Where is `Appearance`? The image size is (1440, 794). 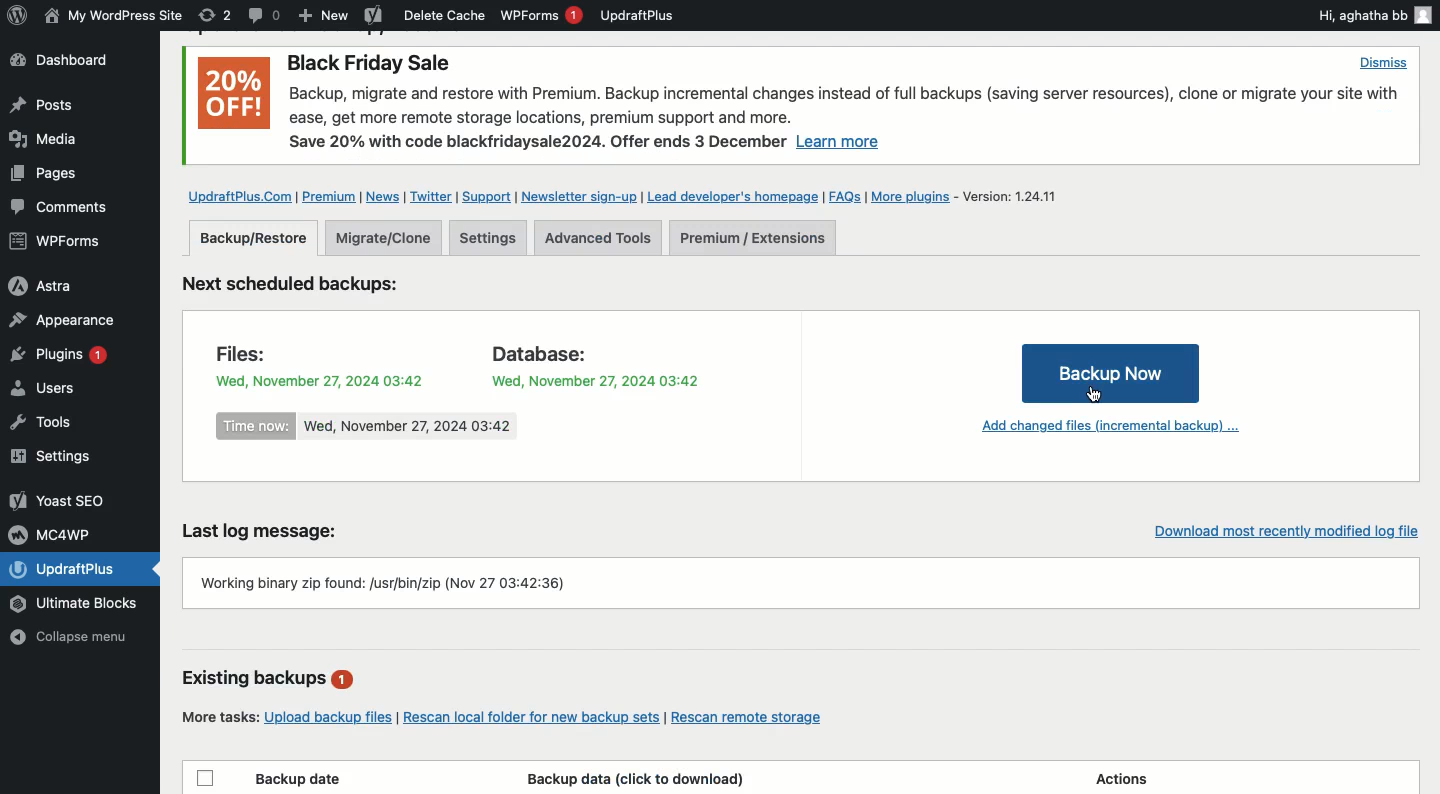 Appearance is located at coordinates (62, 319).